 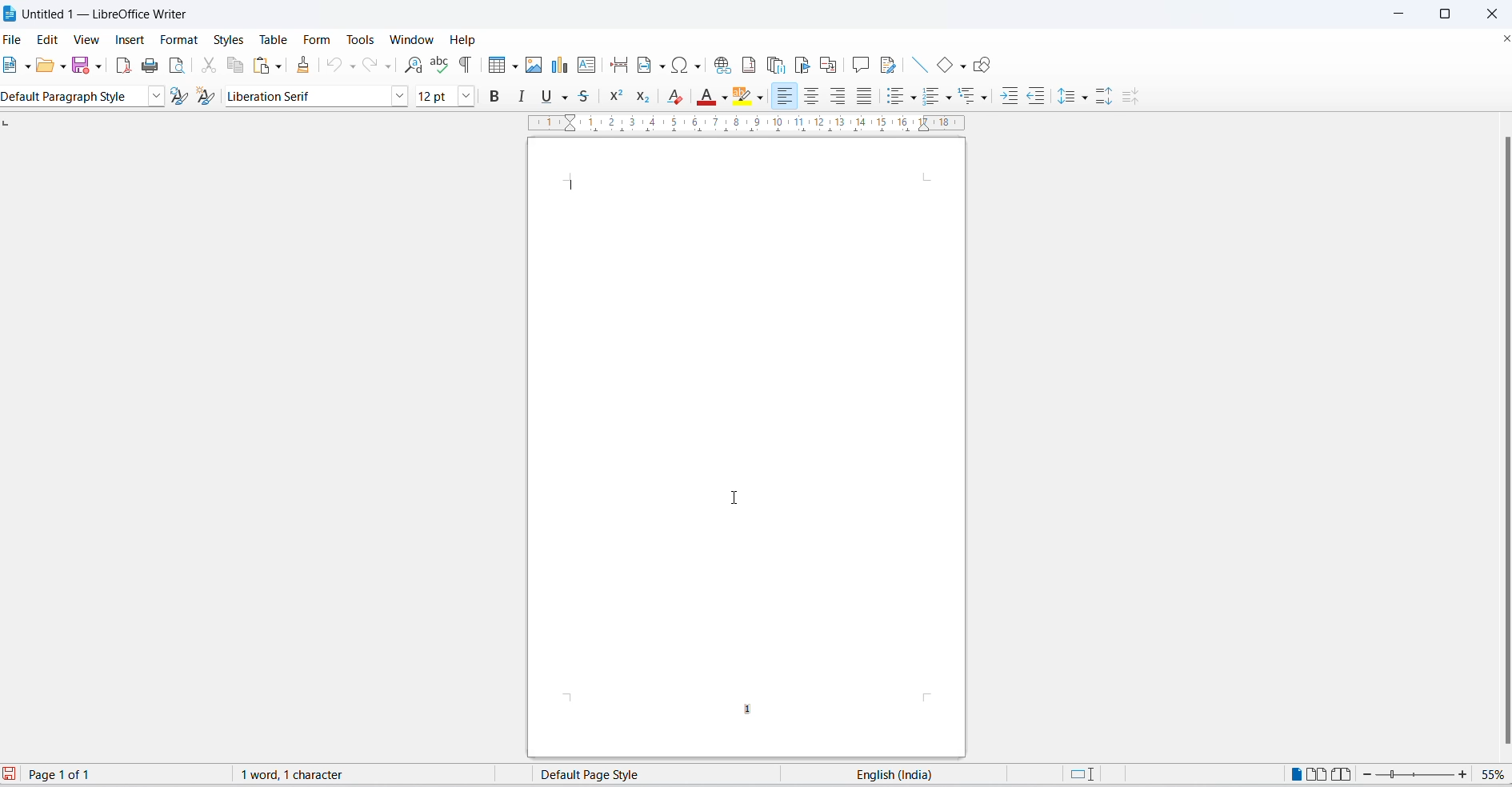 What do you see at coordinates (226, 38) in the screenshot?
I see `styles` at bounding box center [226, 38].